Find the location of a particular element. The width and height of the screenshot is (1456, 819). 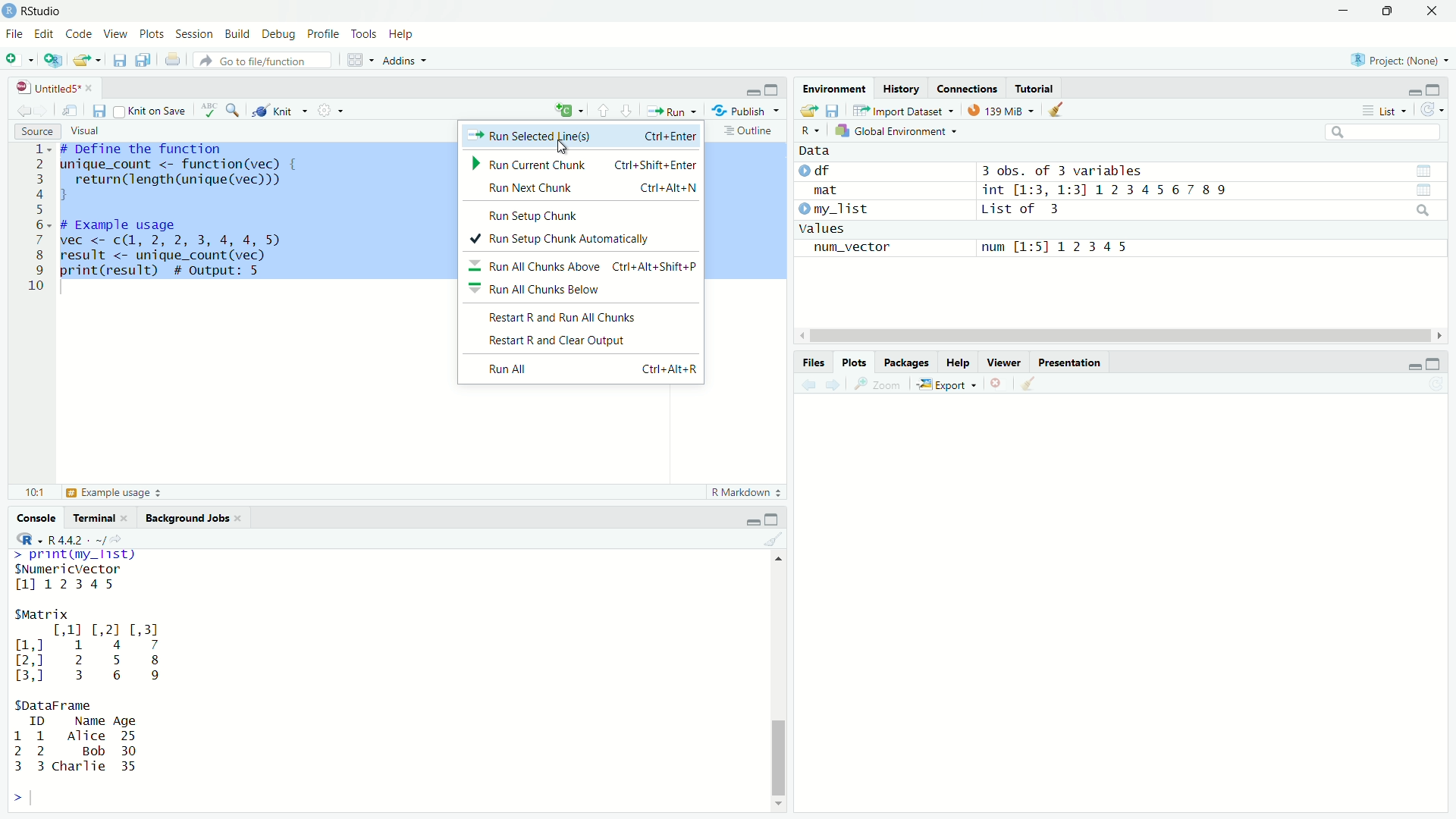

maximize is located at coordinates (774, 90).